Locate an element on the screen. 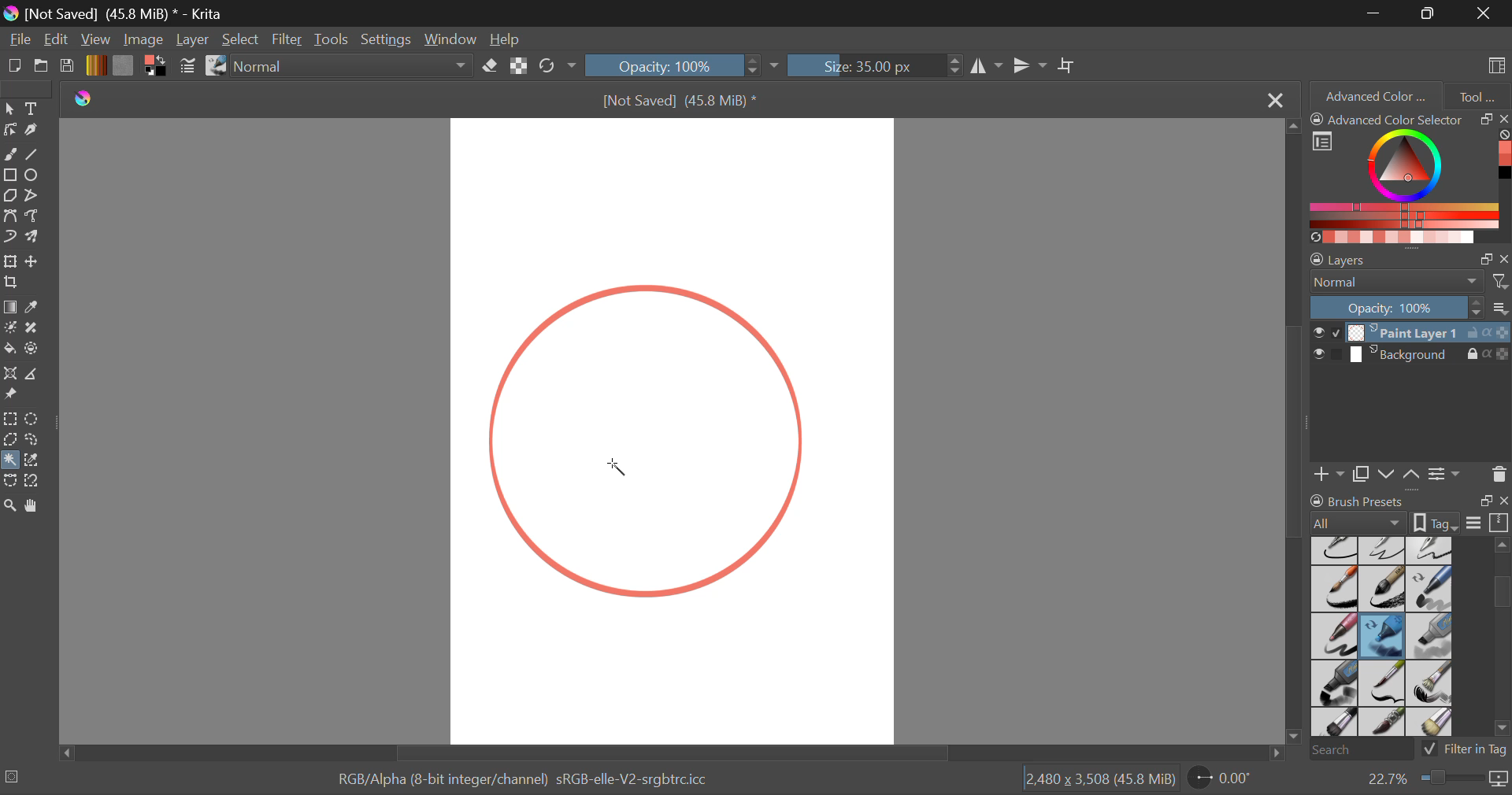 The image size is (1512, 795). Preserve Alpha is located at coordinates (518, 66).